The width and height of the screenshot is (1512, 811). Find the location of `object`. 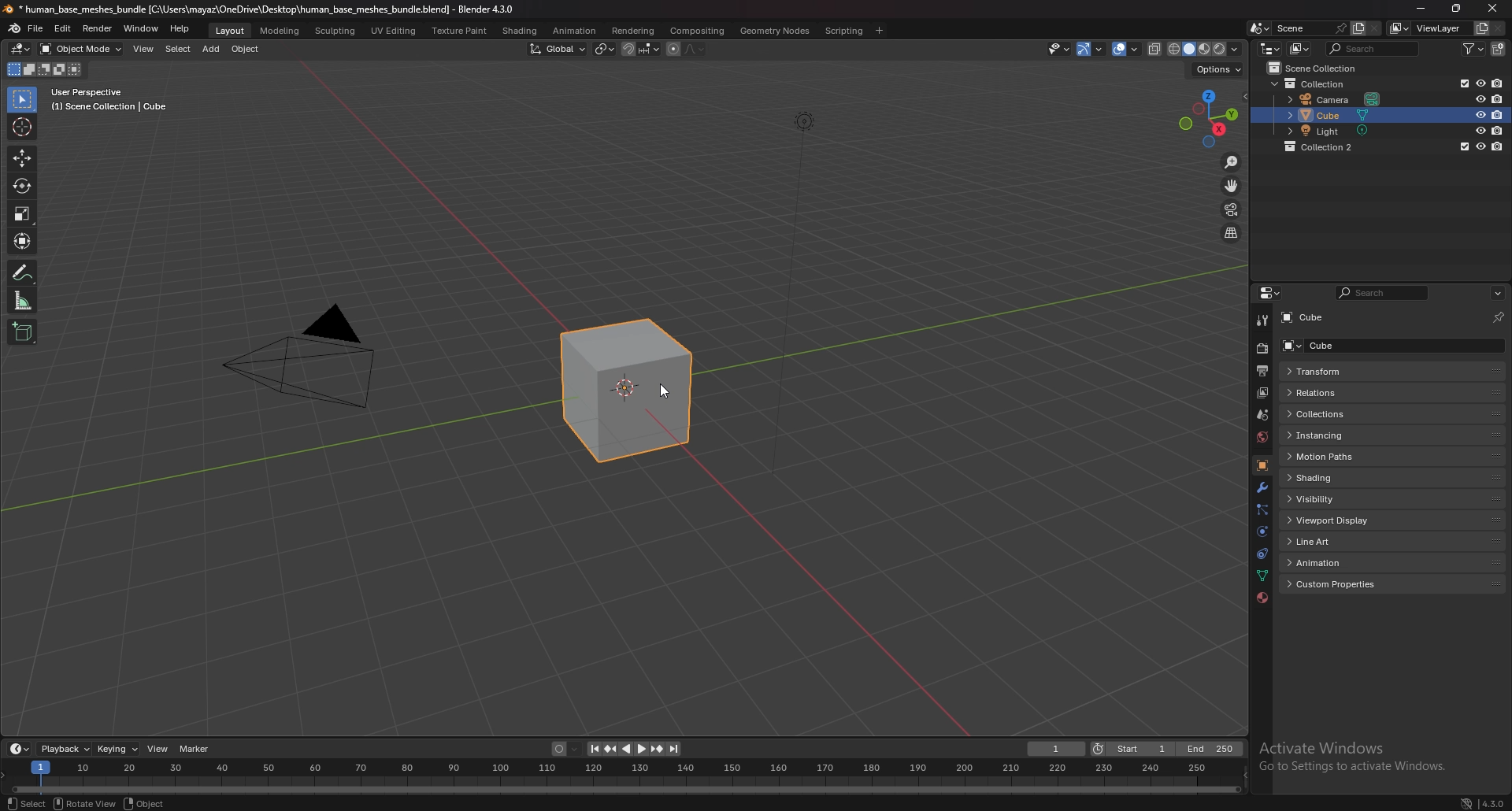

object is located at coordinates (145, 802).